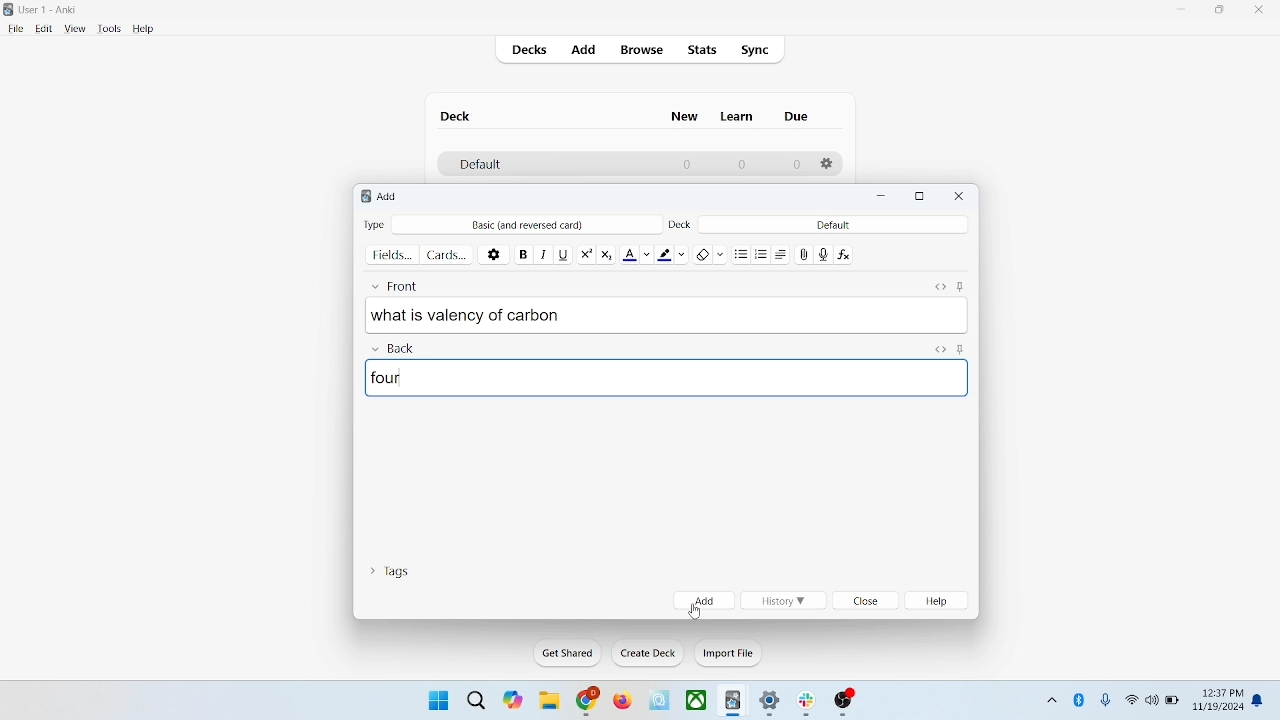 The image size is (1280, 720). I want to click on ordered list, so click(764, 255).